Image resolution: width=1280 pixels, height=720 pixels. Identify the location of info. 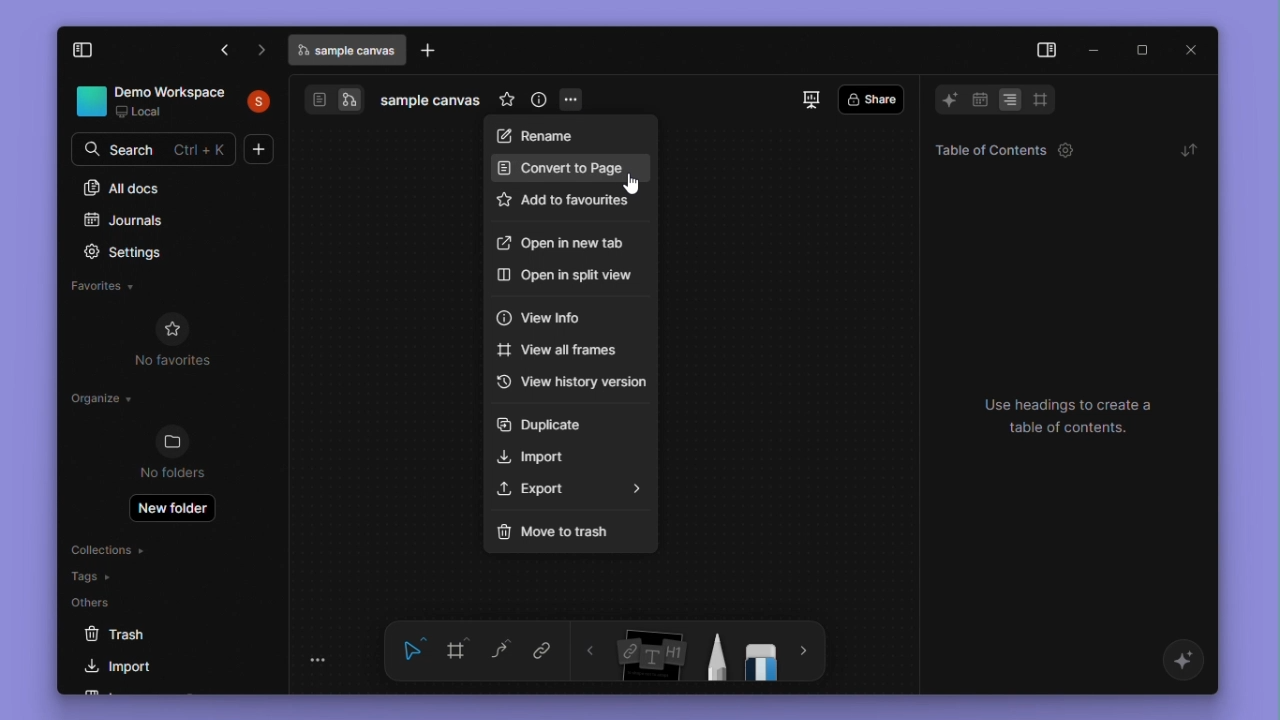
(539, 102).